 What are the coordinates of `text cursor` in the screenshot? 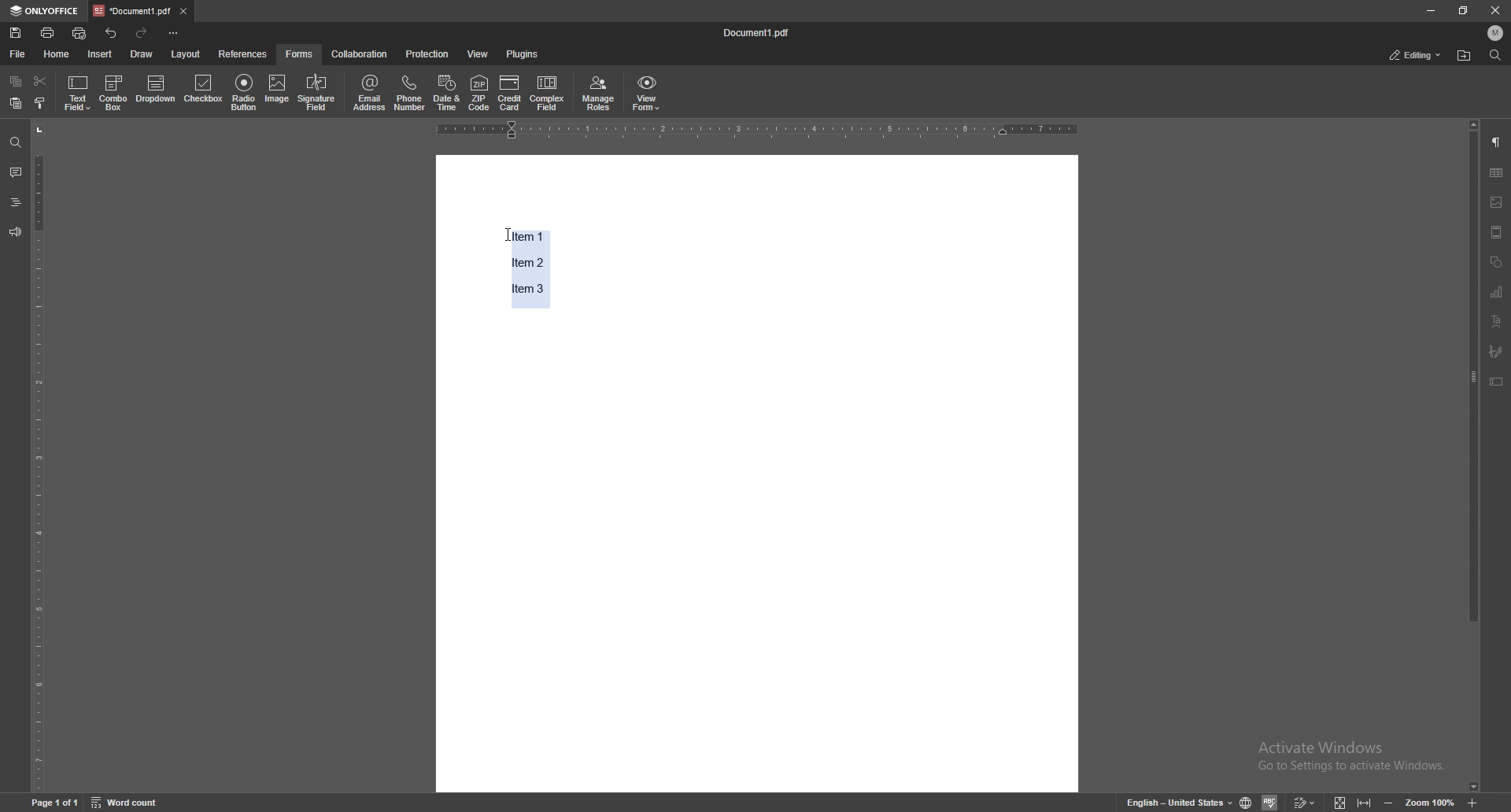 It's located at (503, 230).